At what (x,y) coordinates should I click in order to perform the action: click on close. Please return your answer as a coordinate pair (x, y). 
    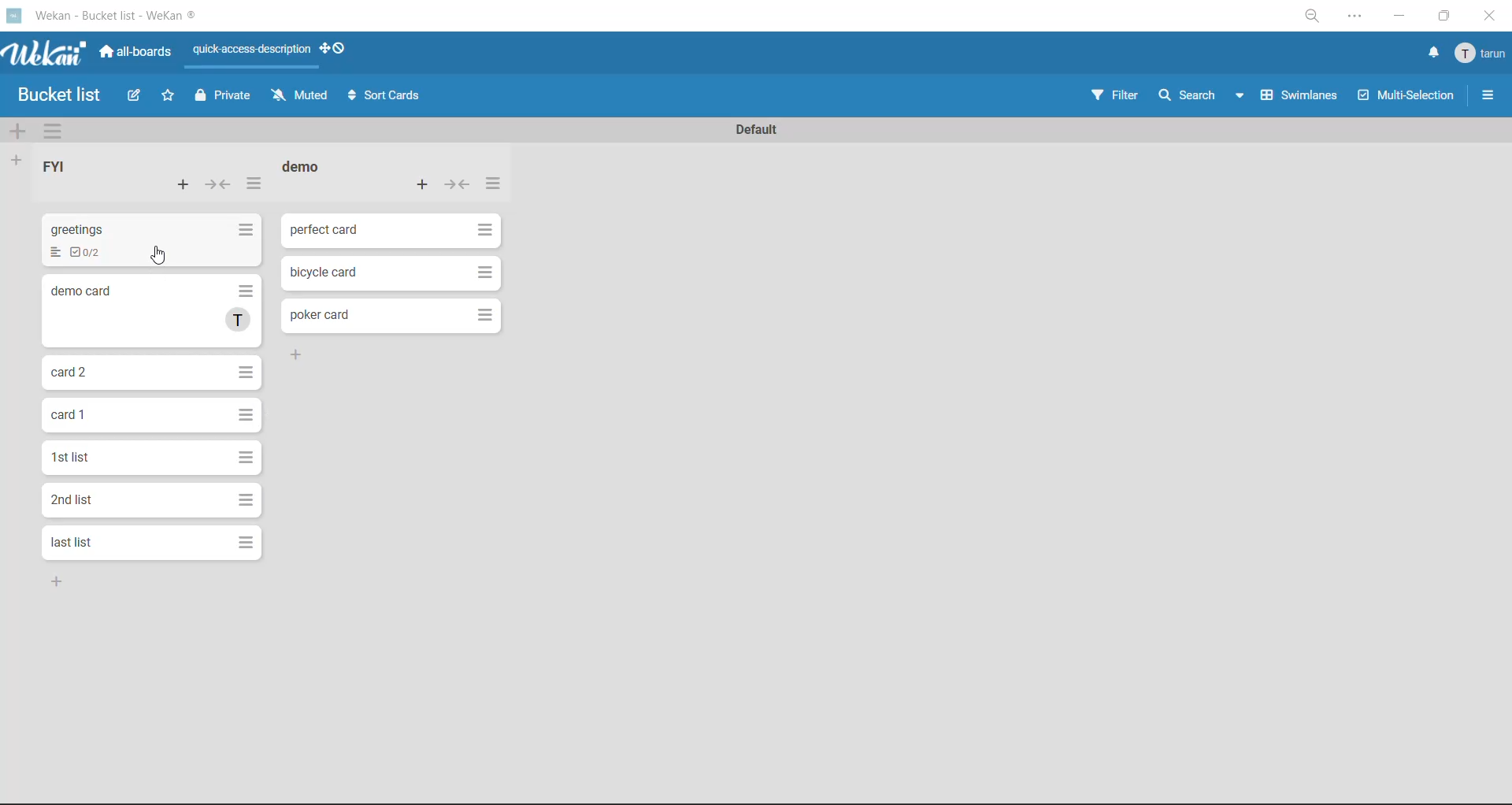
    Looking at the image, I should click on (1491, 16).